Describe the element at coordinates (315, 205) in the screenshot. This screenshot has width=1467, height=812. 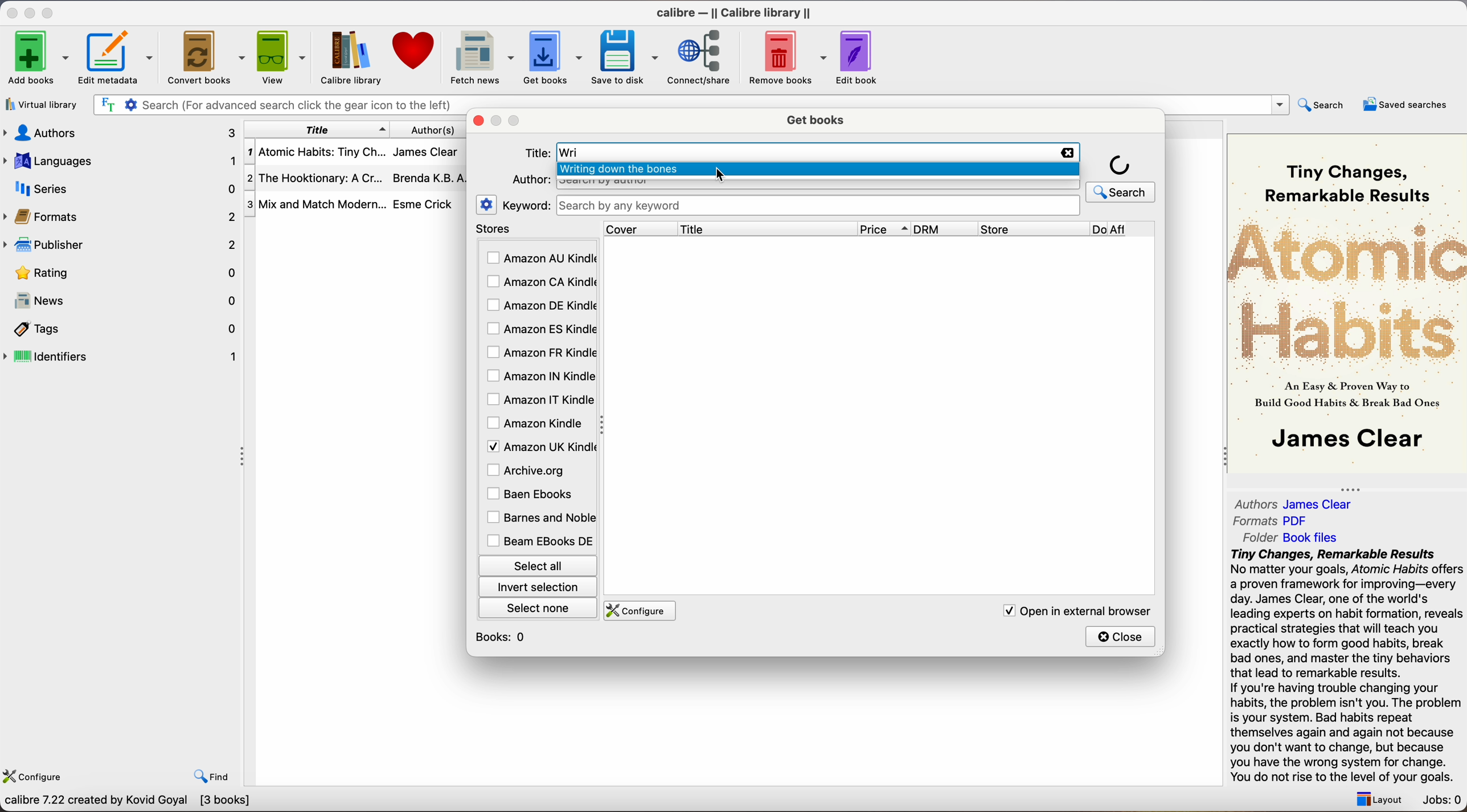
I see `Mix and Match Modern...` at that location.